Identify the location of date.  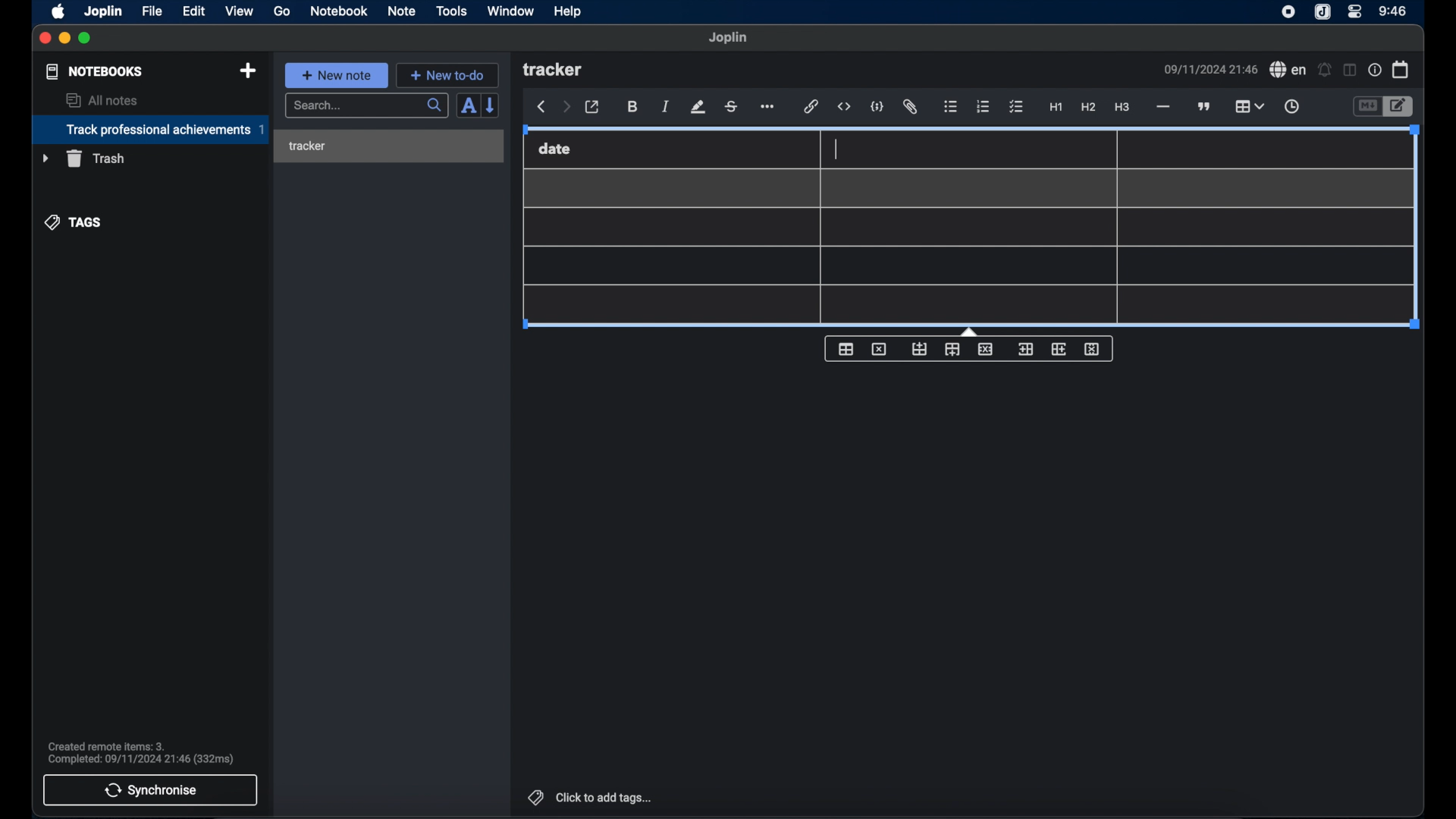
(555, 149).